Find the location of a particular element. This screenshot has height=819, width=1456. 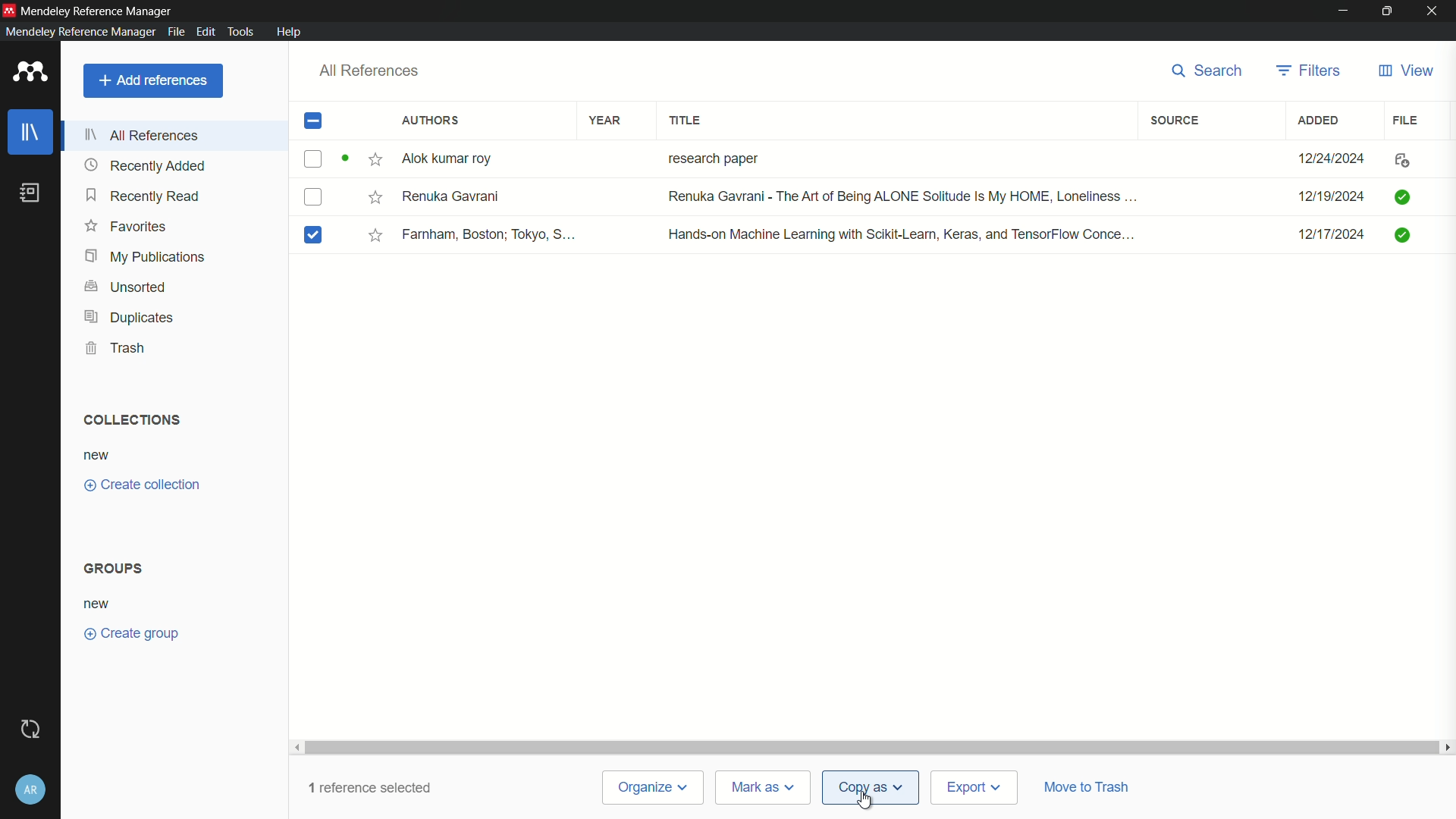

year is located at coordinates (606, 120).